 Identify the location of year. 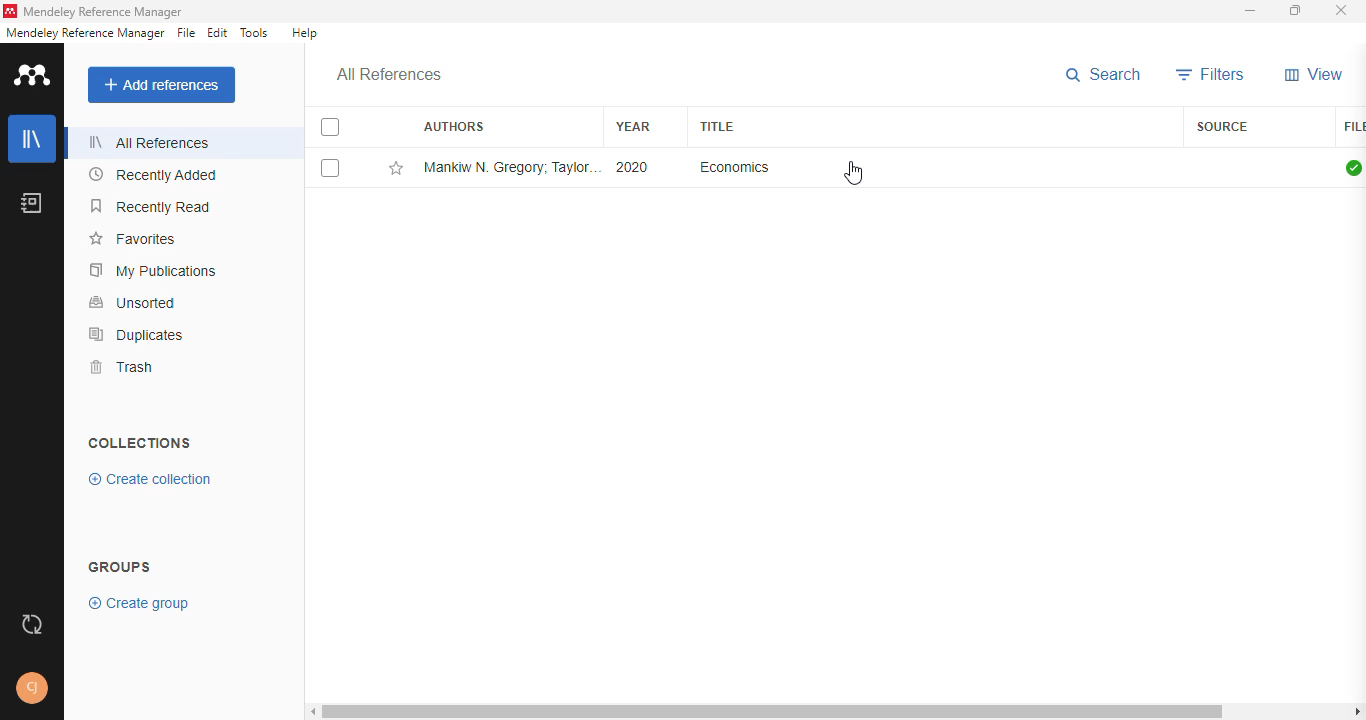
(633, 125).